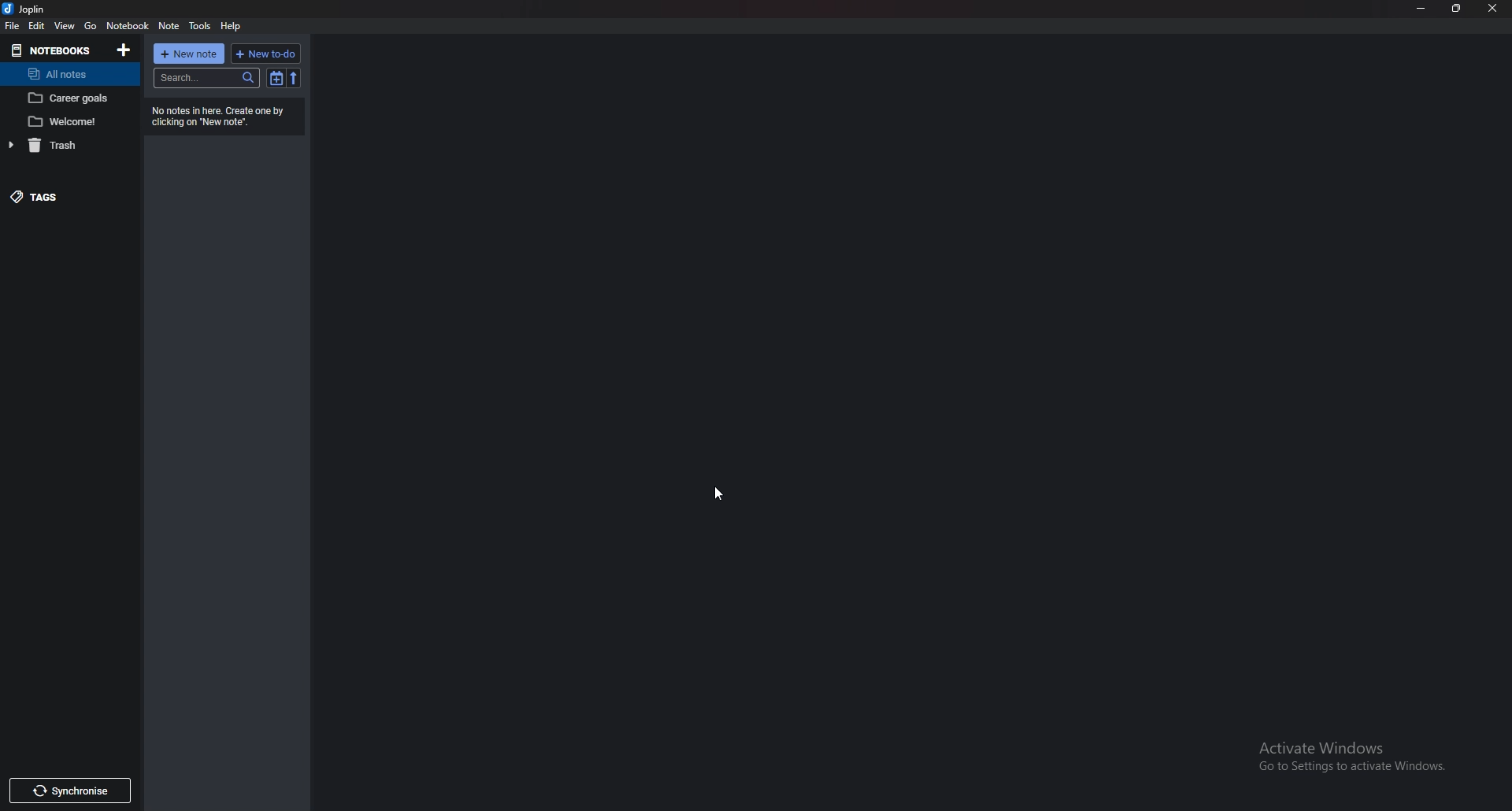 The height and width of the screenshot is (811, 1512). Describe the element at coordinates (719, 492) in the screenshot. I see `cursor` at that location.